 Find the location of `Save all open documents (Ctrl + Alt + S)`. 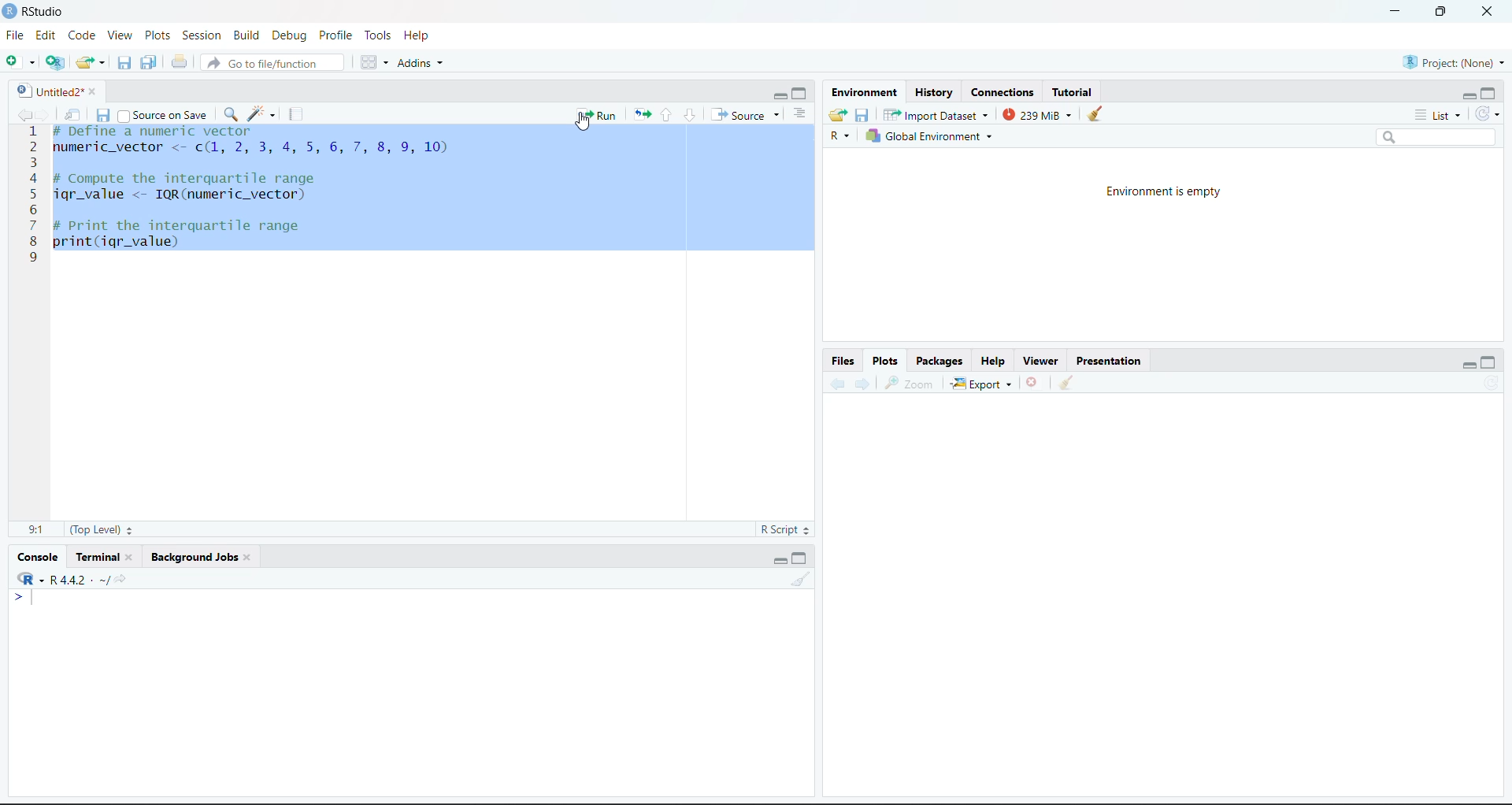

Save all open documents (Ctrl + Alt + S) is located at coordinates (149, 62).